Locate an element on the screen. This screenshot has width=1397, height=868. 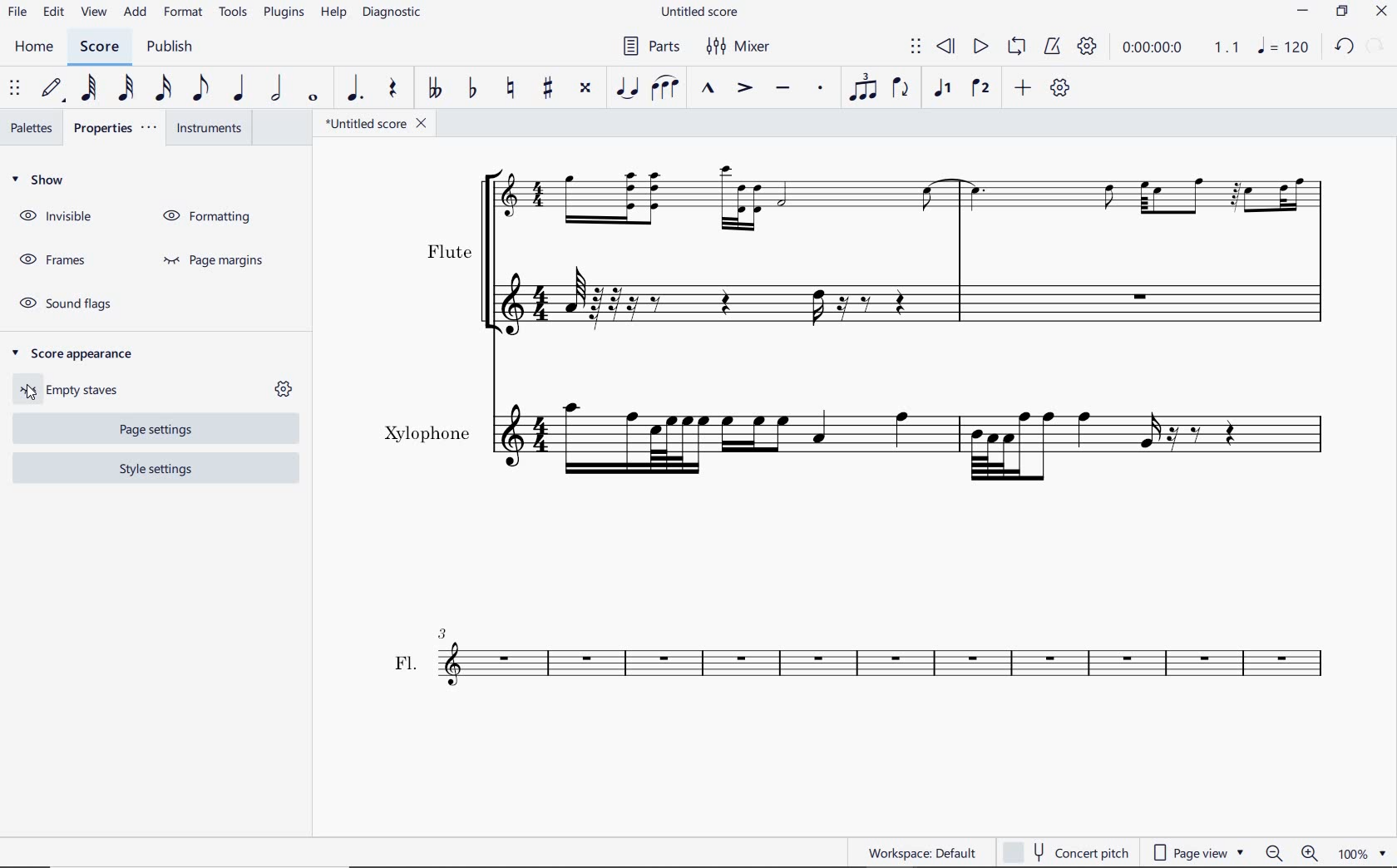
view is located at coordinates (93, 12).